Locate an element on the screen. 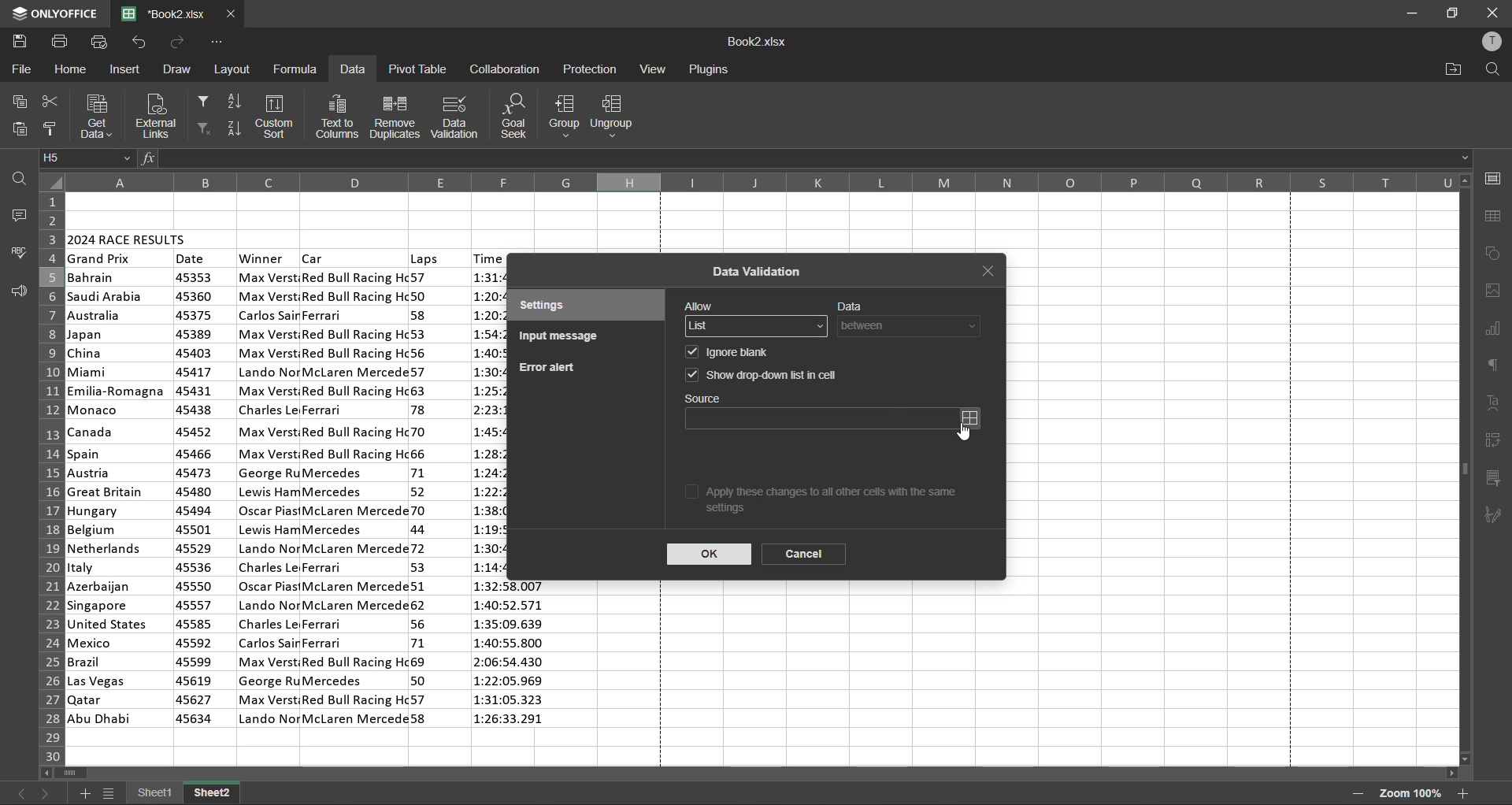  source is located at coordinates (707, 399).